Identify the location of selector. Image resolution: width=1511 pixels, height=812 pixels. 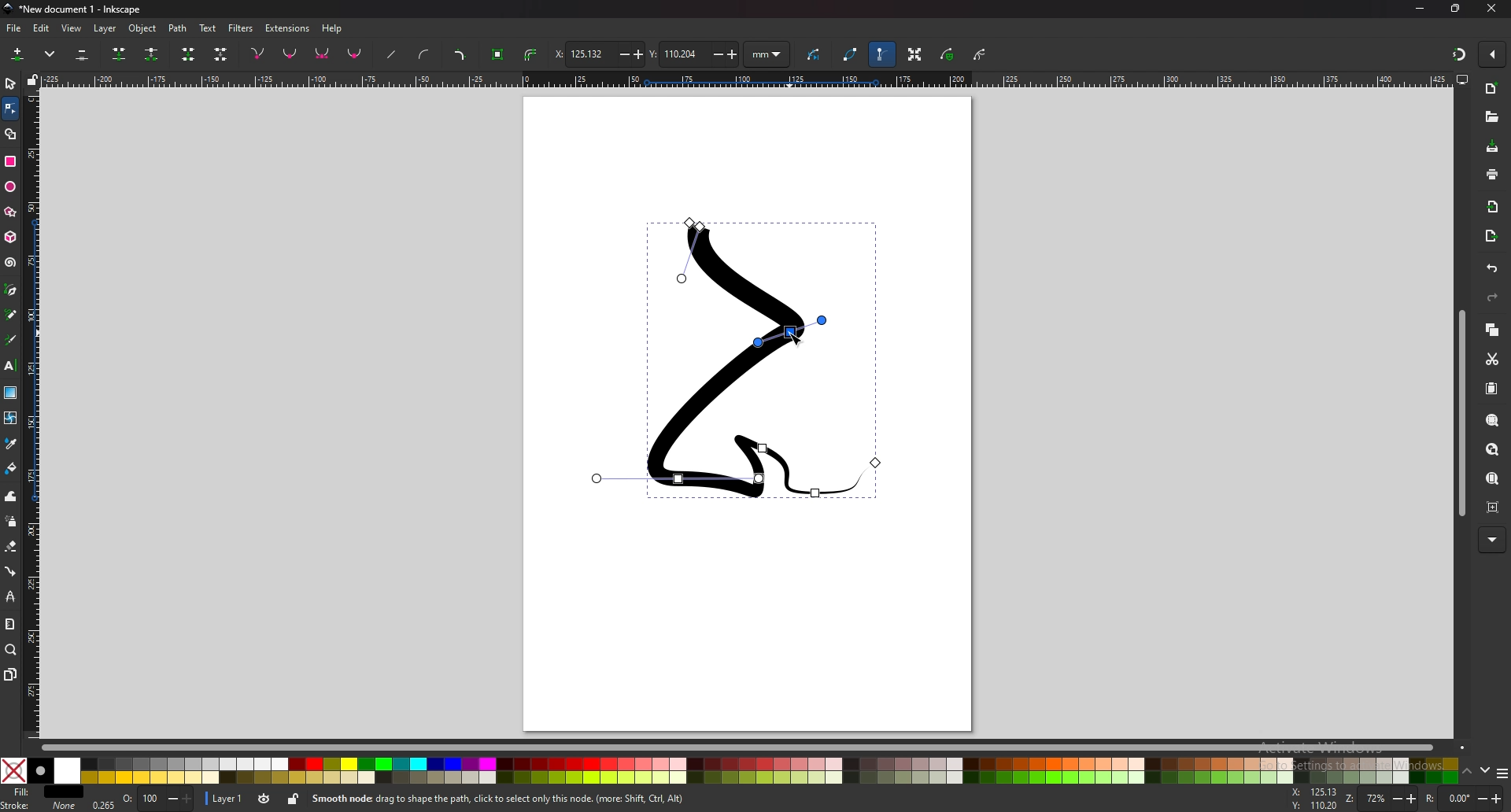
(11, 83).